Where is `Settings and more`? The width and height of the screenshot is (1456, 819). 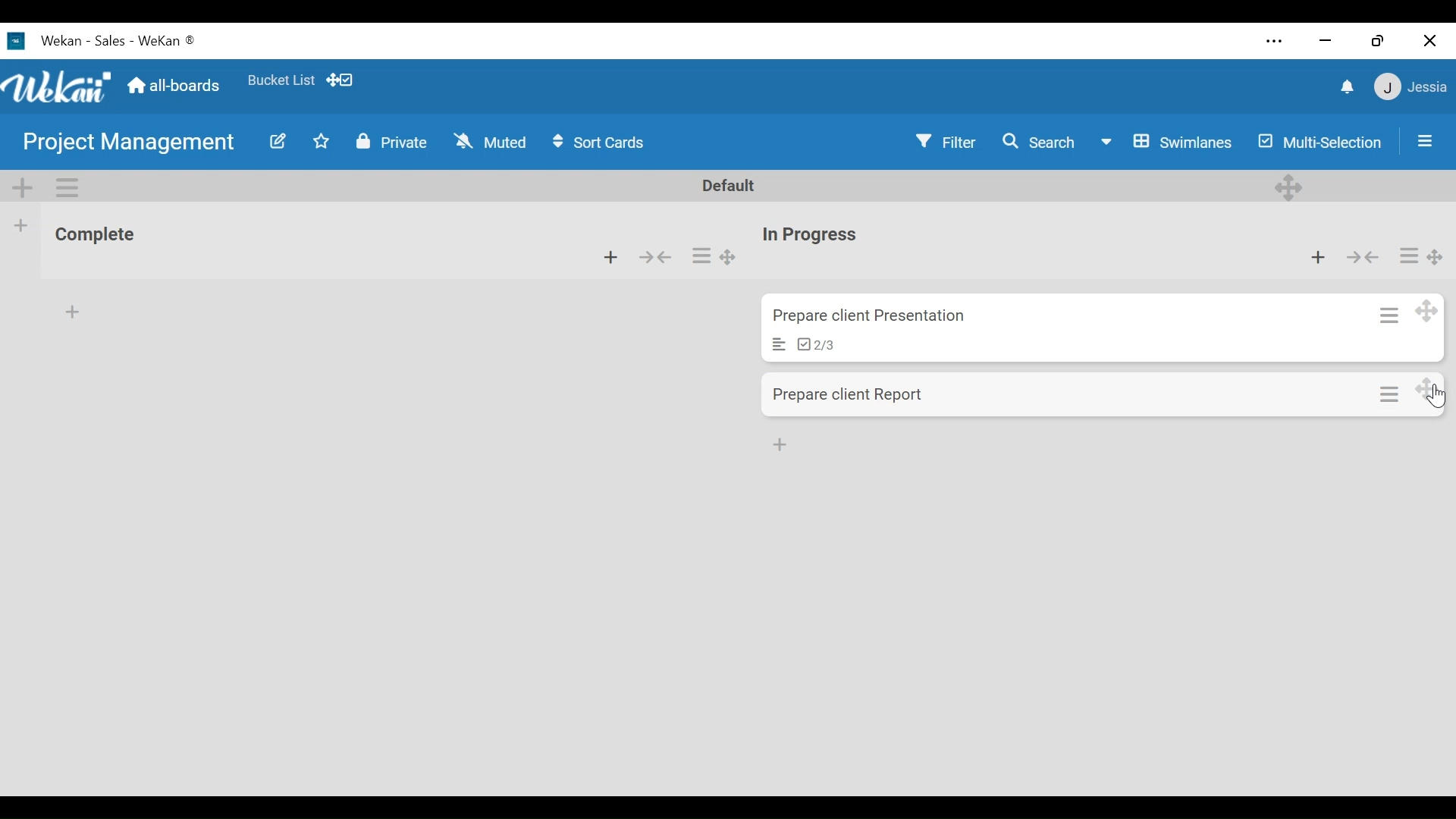 Settings and more is located at coordinates (1268, 39).